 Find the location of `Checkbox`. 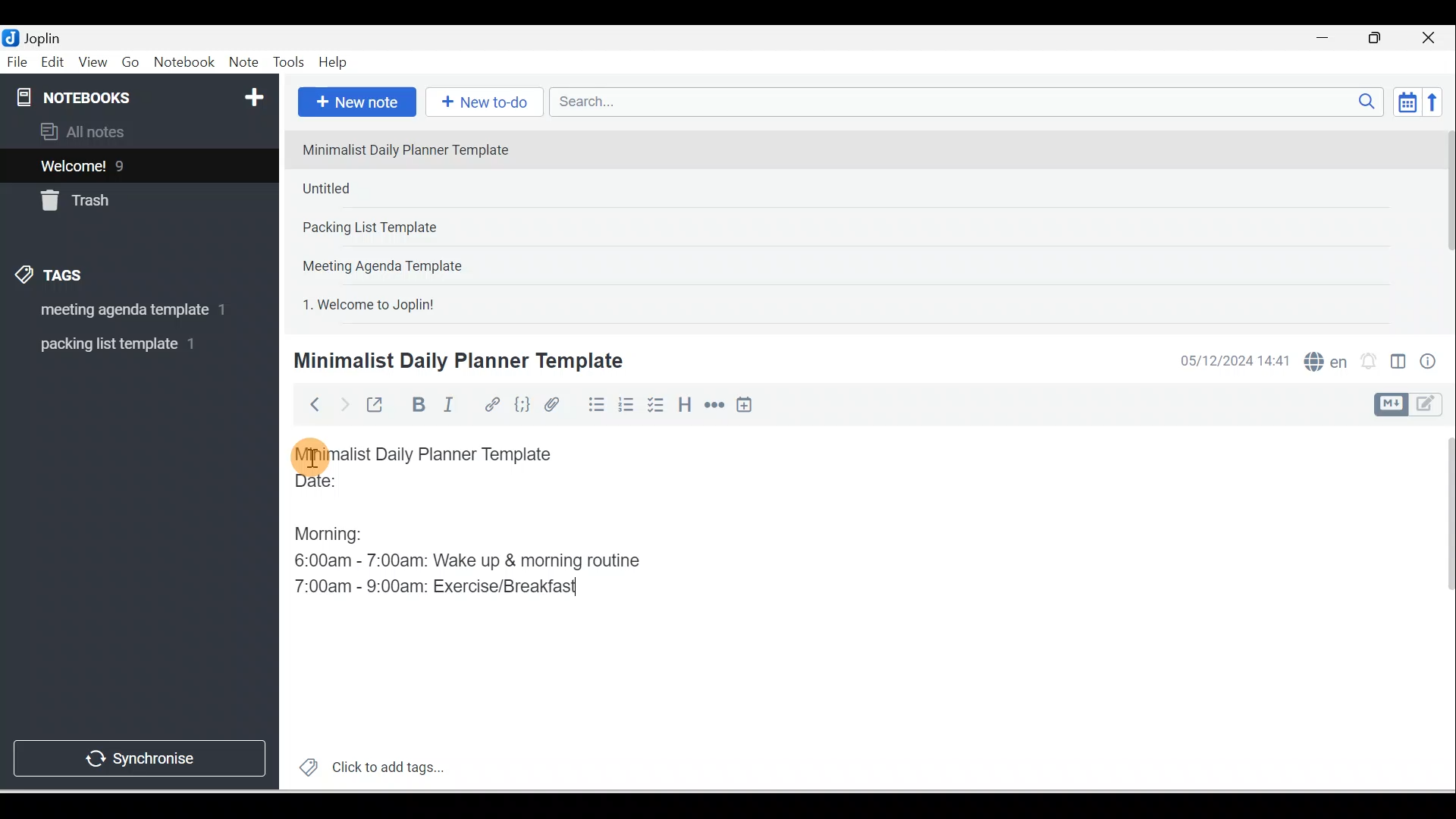

Checkbox is located at coordinates (654, 405).